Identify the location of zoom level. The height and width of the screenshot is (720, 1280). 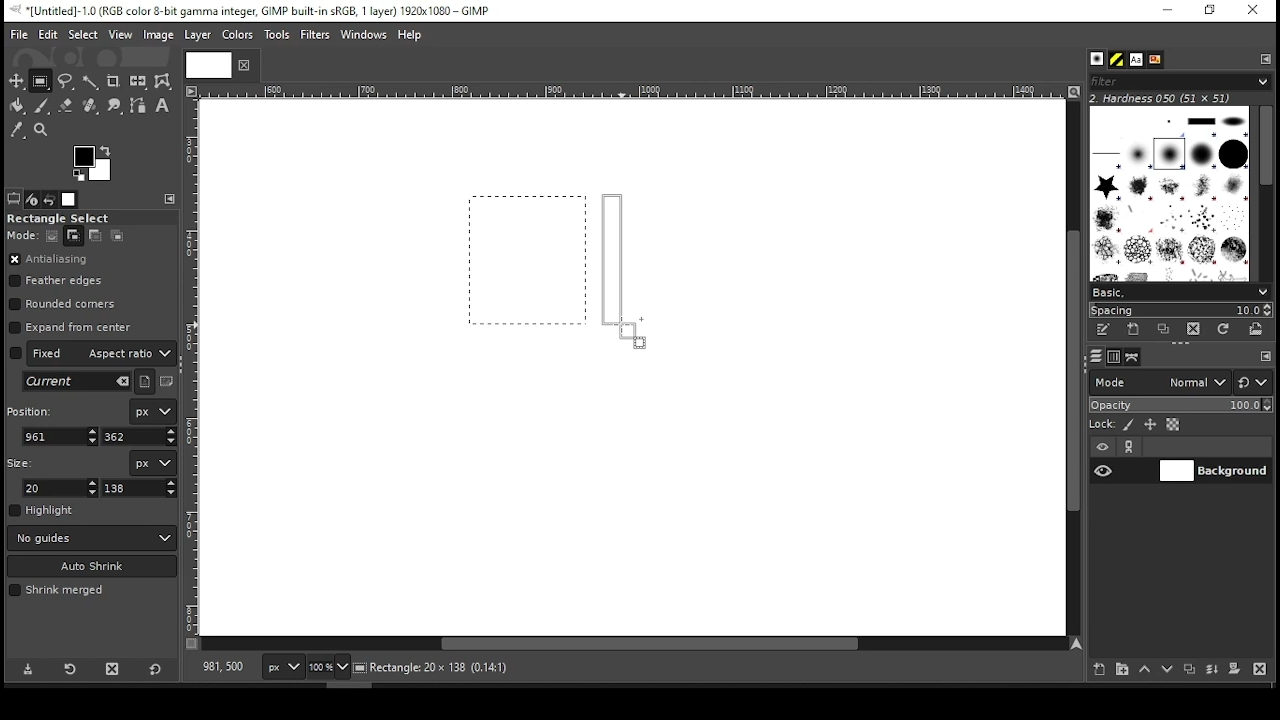
(328, 669).